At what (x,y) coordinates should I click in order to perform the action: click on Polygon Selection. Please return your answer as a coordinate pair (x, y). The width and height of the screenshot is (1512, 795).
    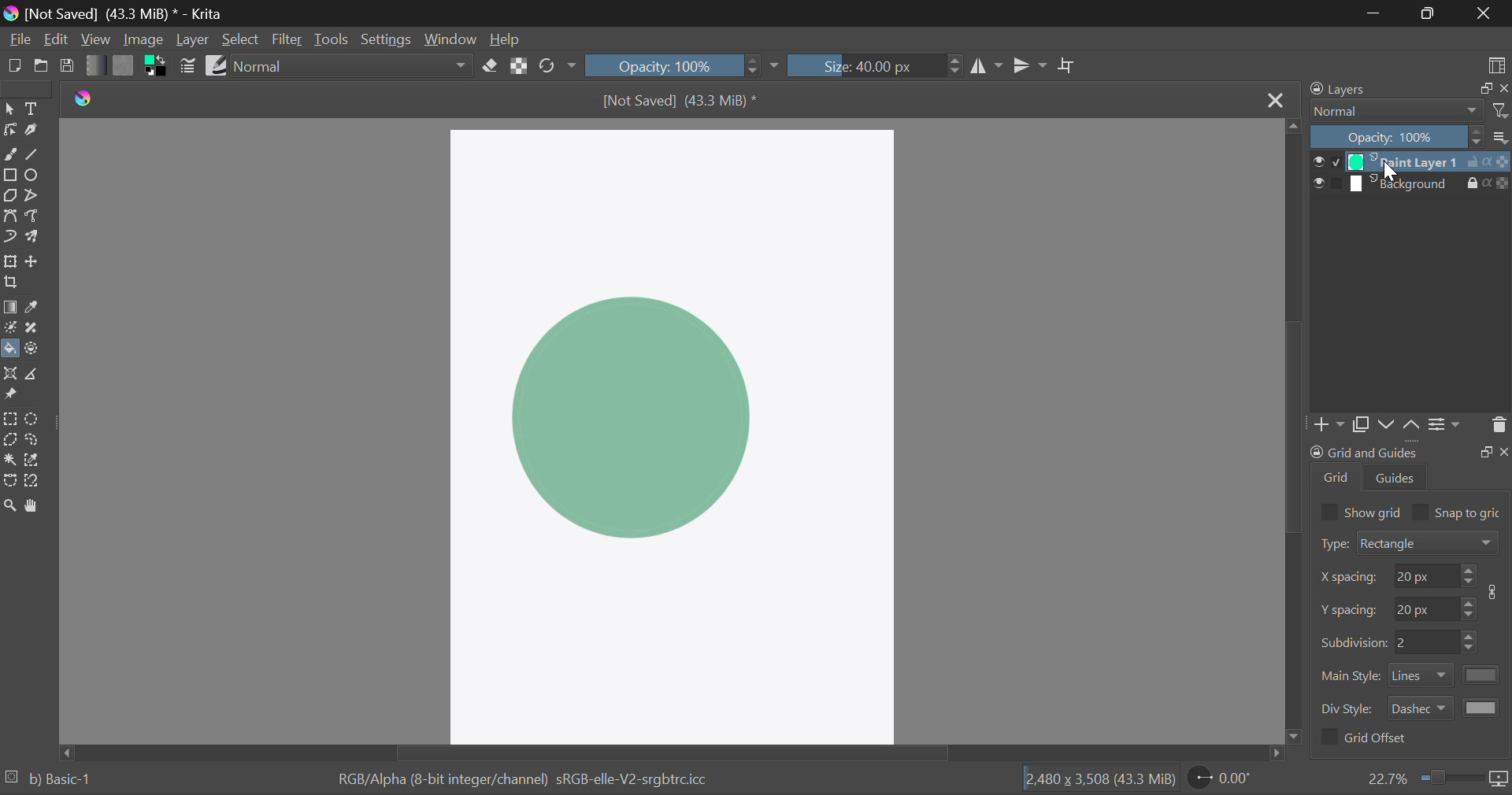
    Looking at the image, I should click on (9, 441).